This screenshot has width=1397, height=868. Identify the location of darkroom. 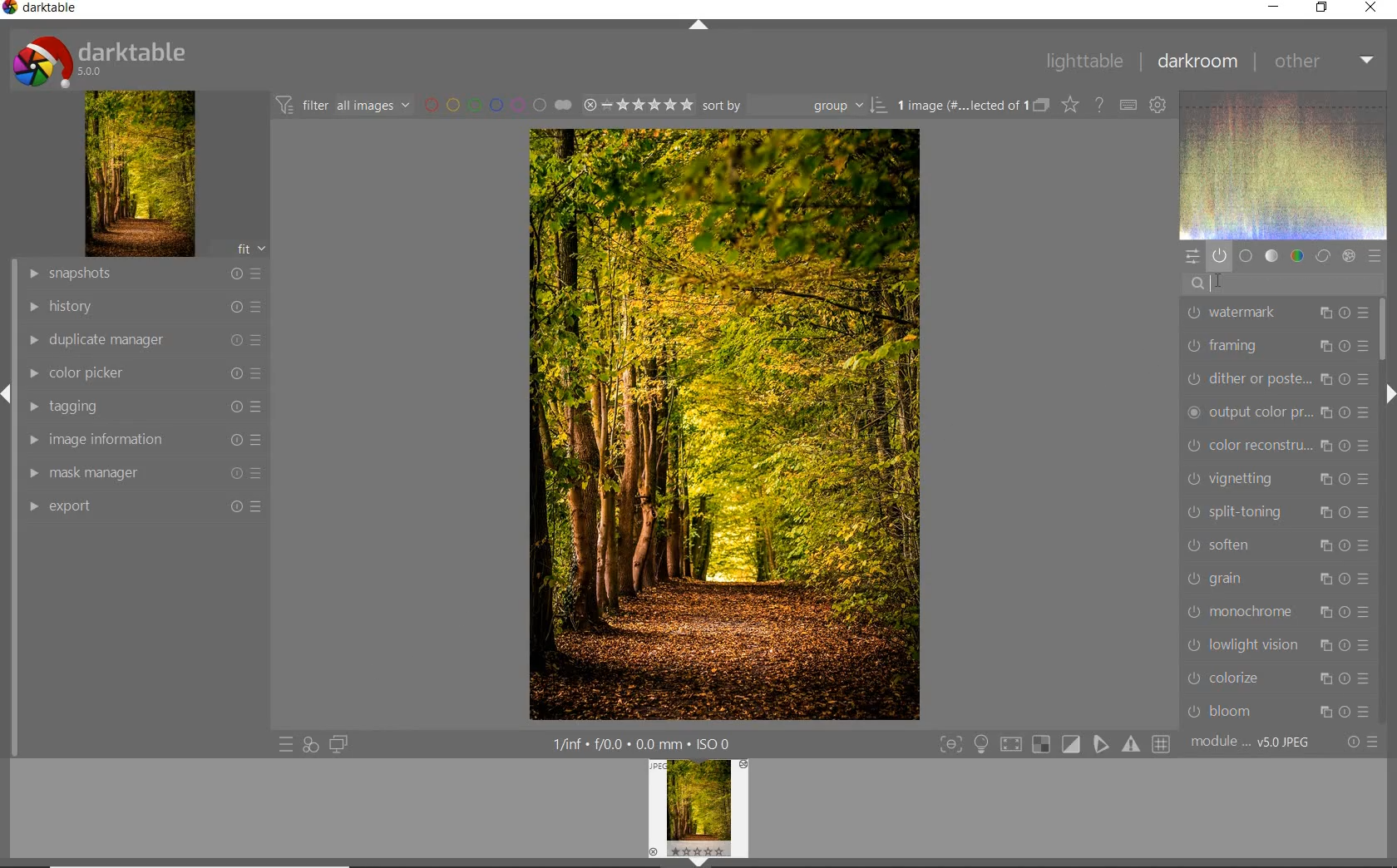
(1198, 61).